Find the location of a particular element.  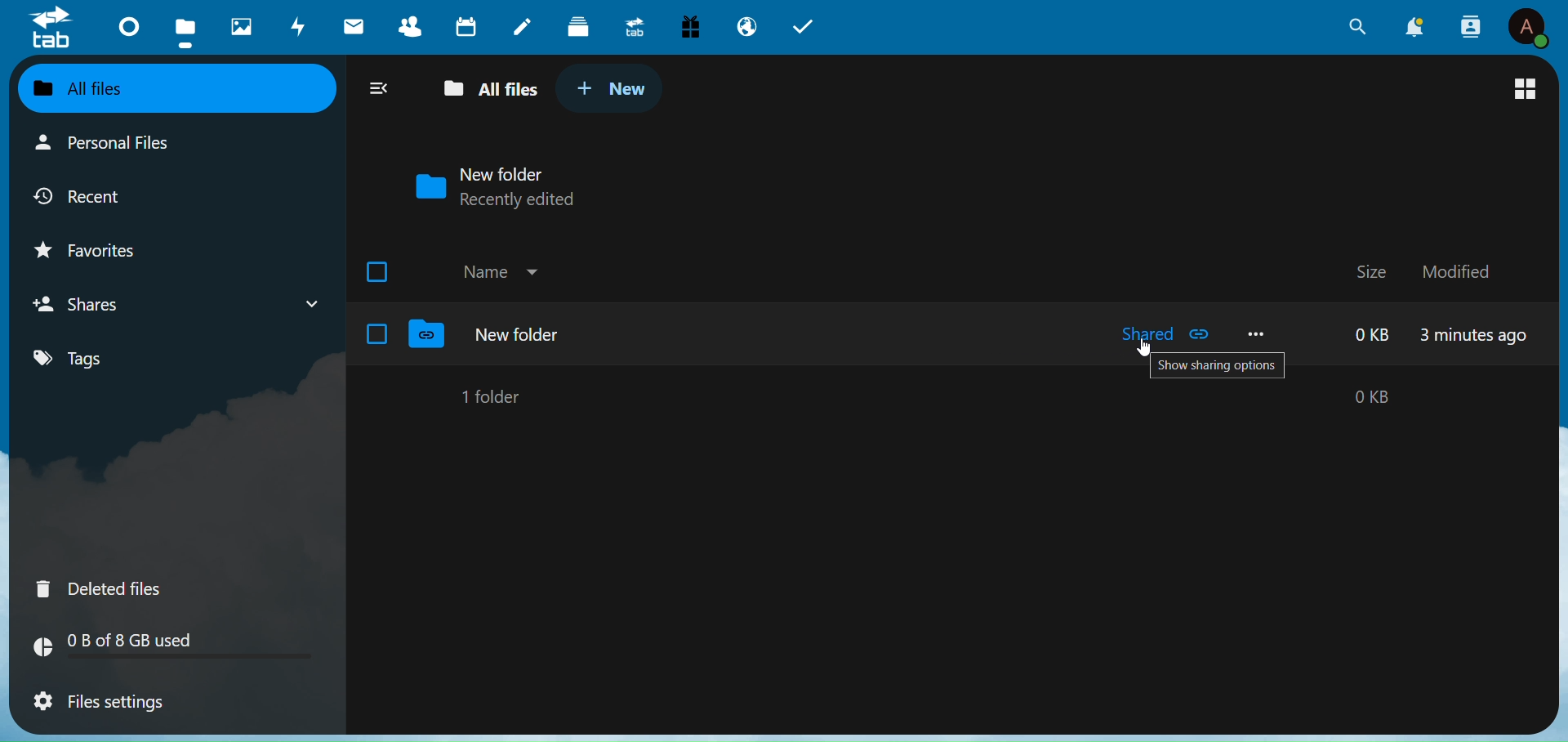

Free Trial is located at coordinates (690, 25).